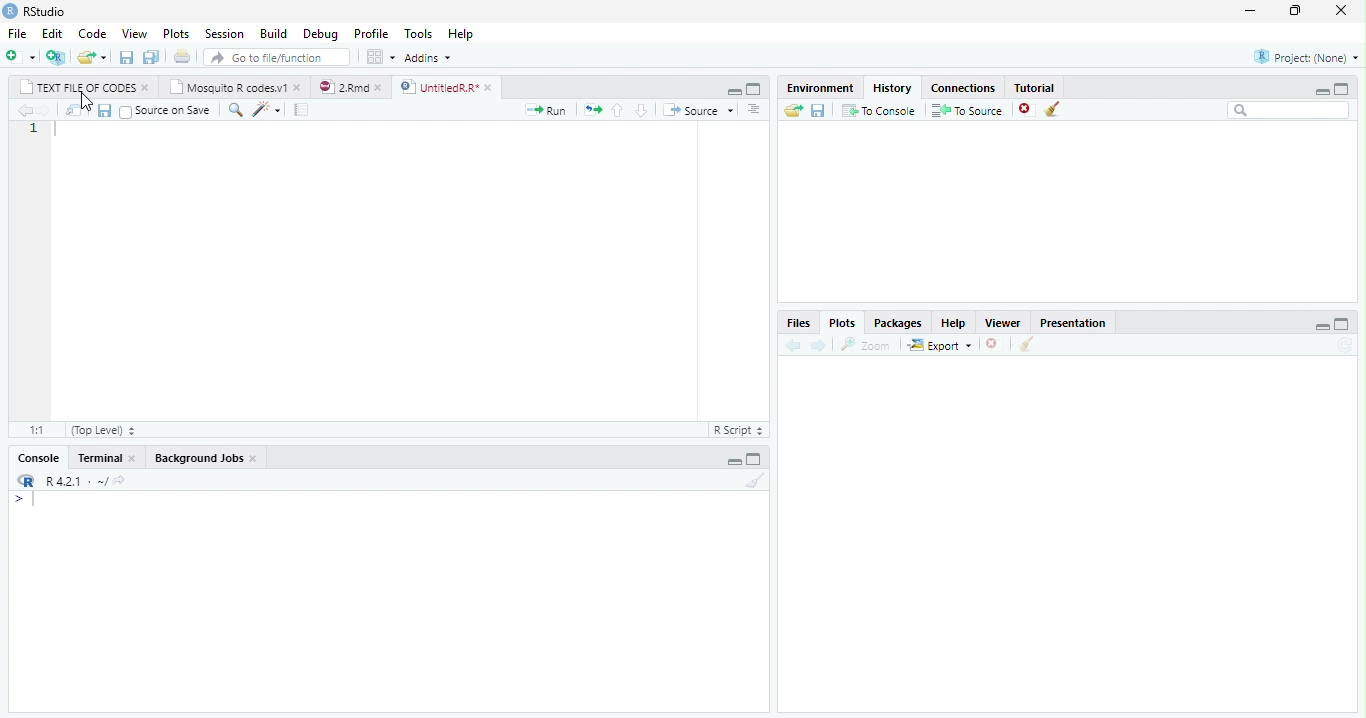 The width and height of the screenshot is (1366, 718). I want to click on close, so click(380, 88).